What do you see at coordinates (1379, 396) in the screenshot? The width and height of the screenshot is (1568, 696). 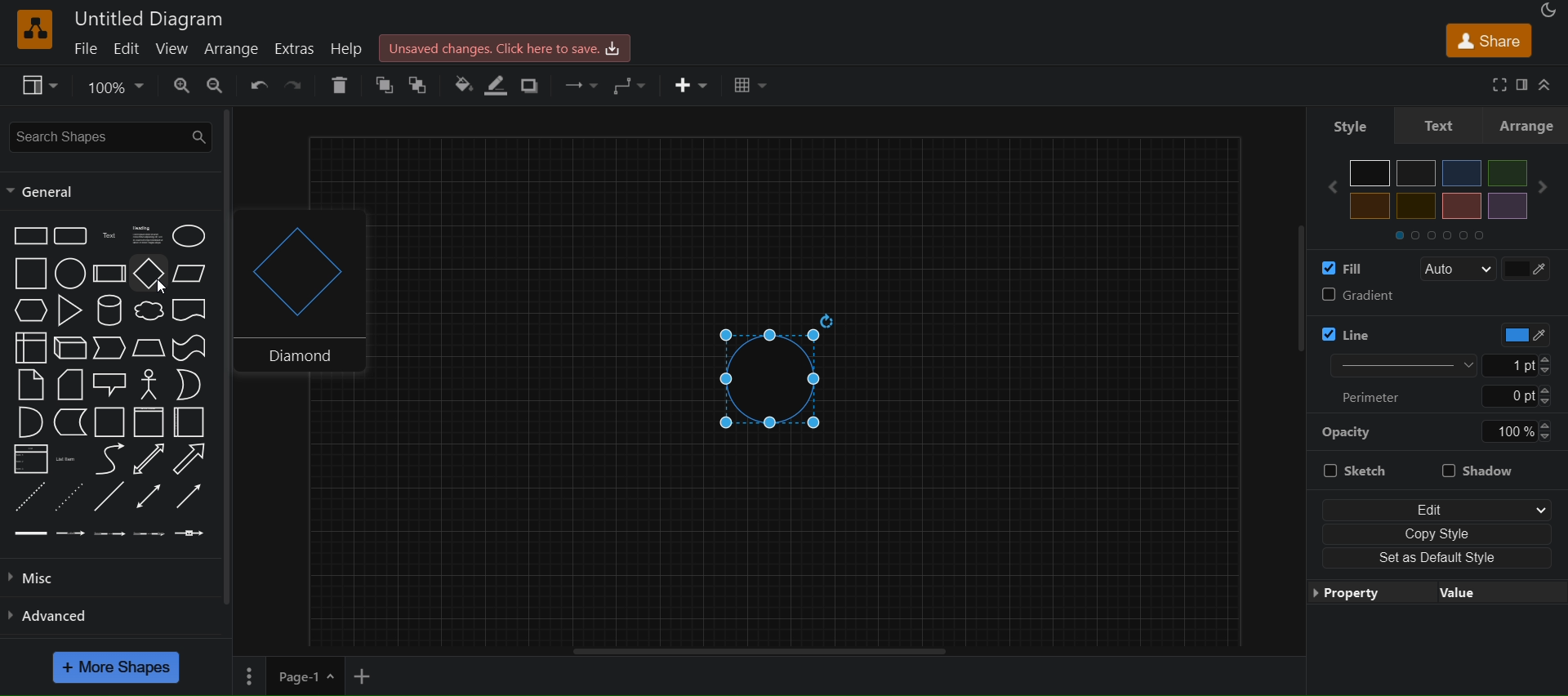 I see `perimeter` at bounding box center [1379, 396].